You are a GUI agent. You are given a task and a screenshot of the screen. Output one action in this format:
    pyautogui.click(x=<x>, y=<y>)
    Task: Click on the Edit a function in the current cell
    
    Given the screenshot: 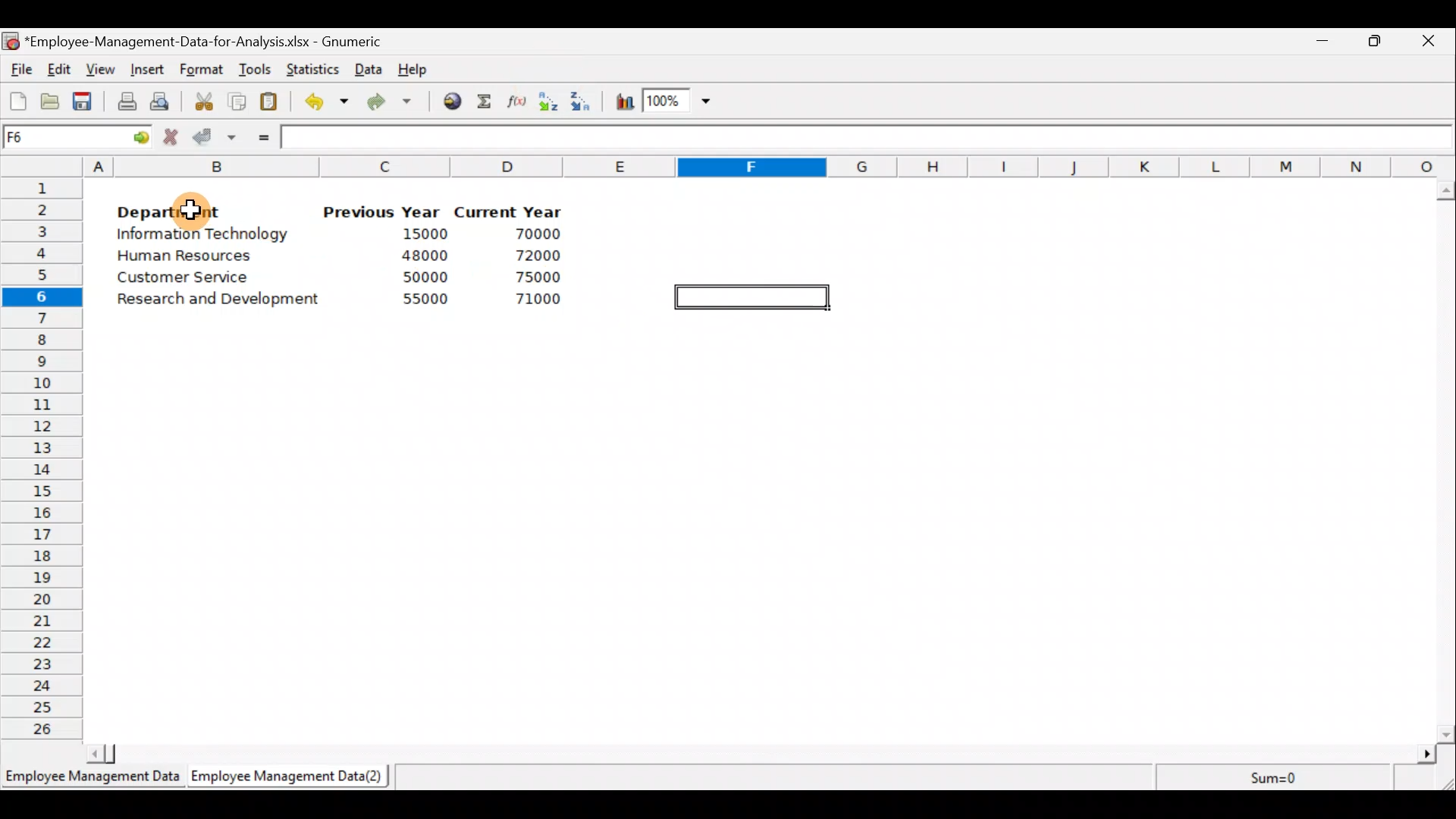 What is the action you would take?
    pyautogui.click(x=516, y=100)
    